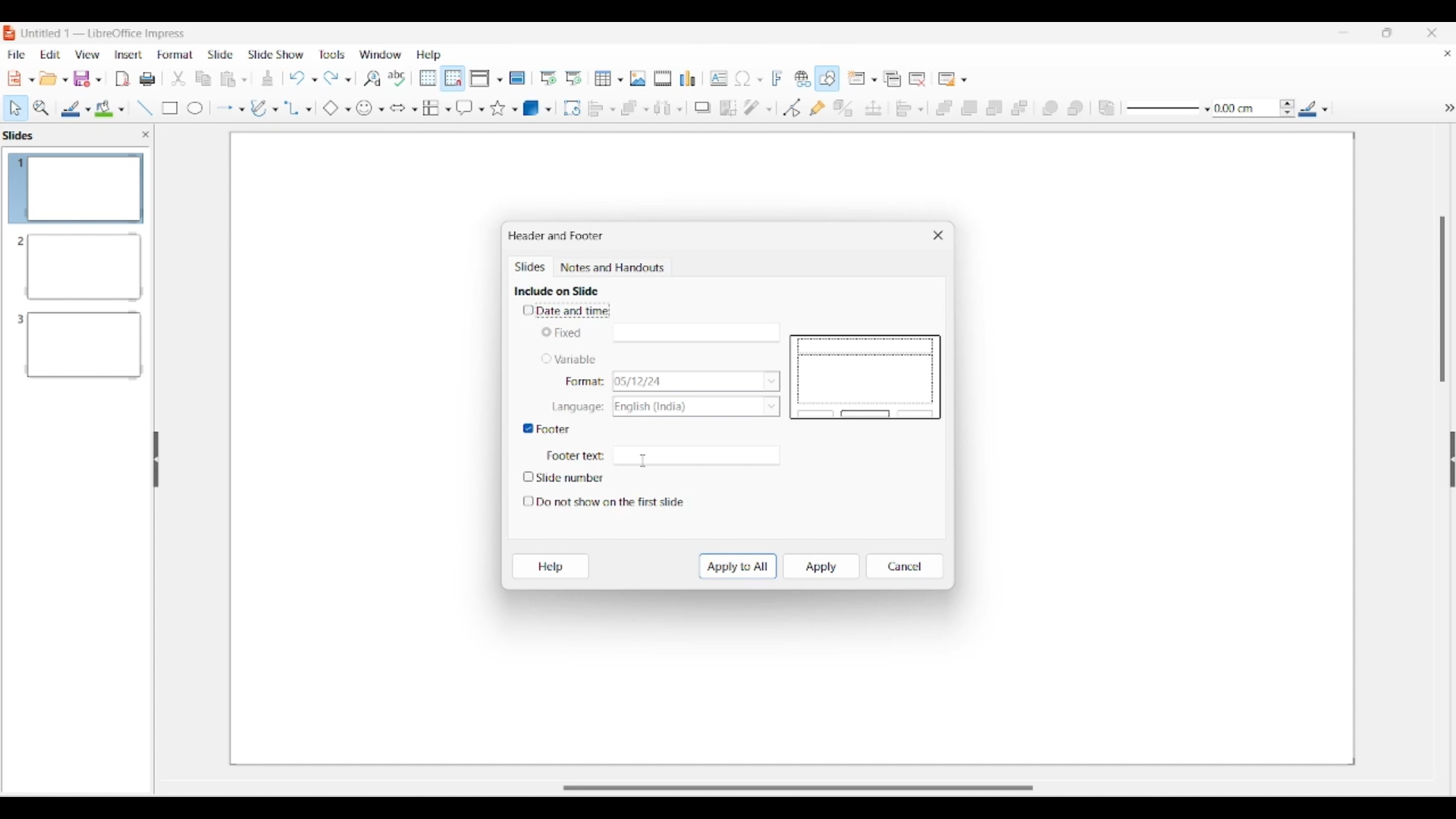  I want to click on Line color options , so click(76, 109).